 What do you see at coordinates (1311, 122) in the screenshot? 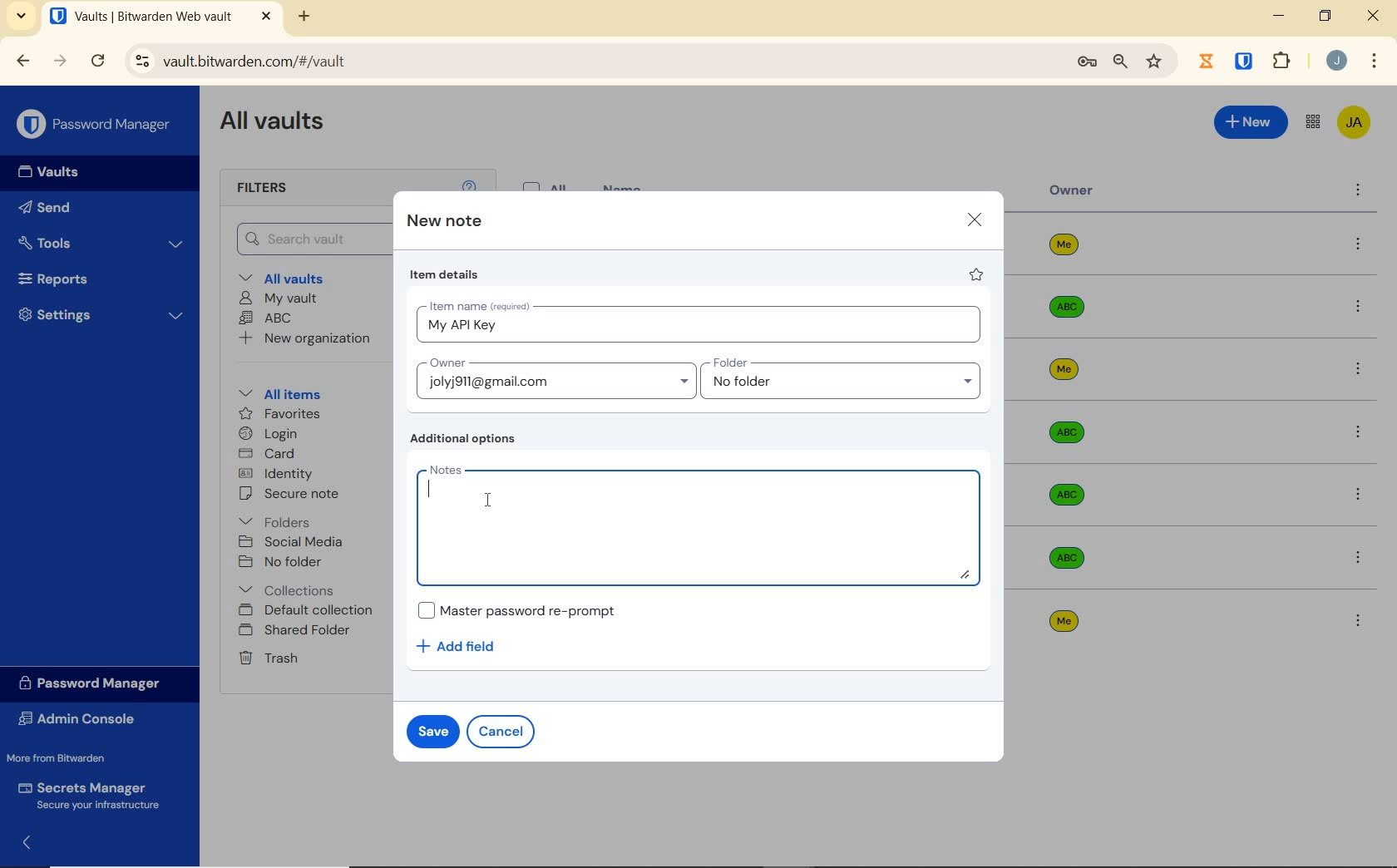
I see `toggle between admin console and password manager` at bounding box center [1311, 122].